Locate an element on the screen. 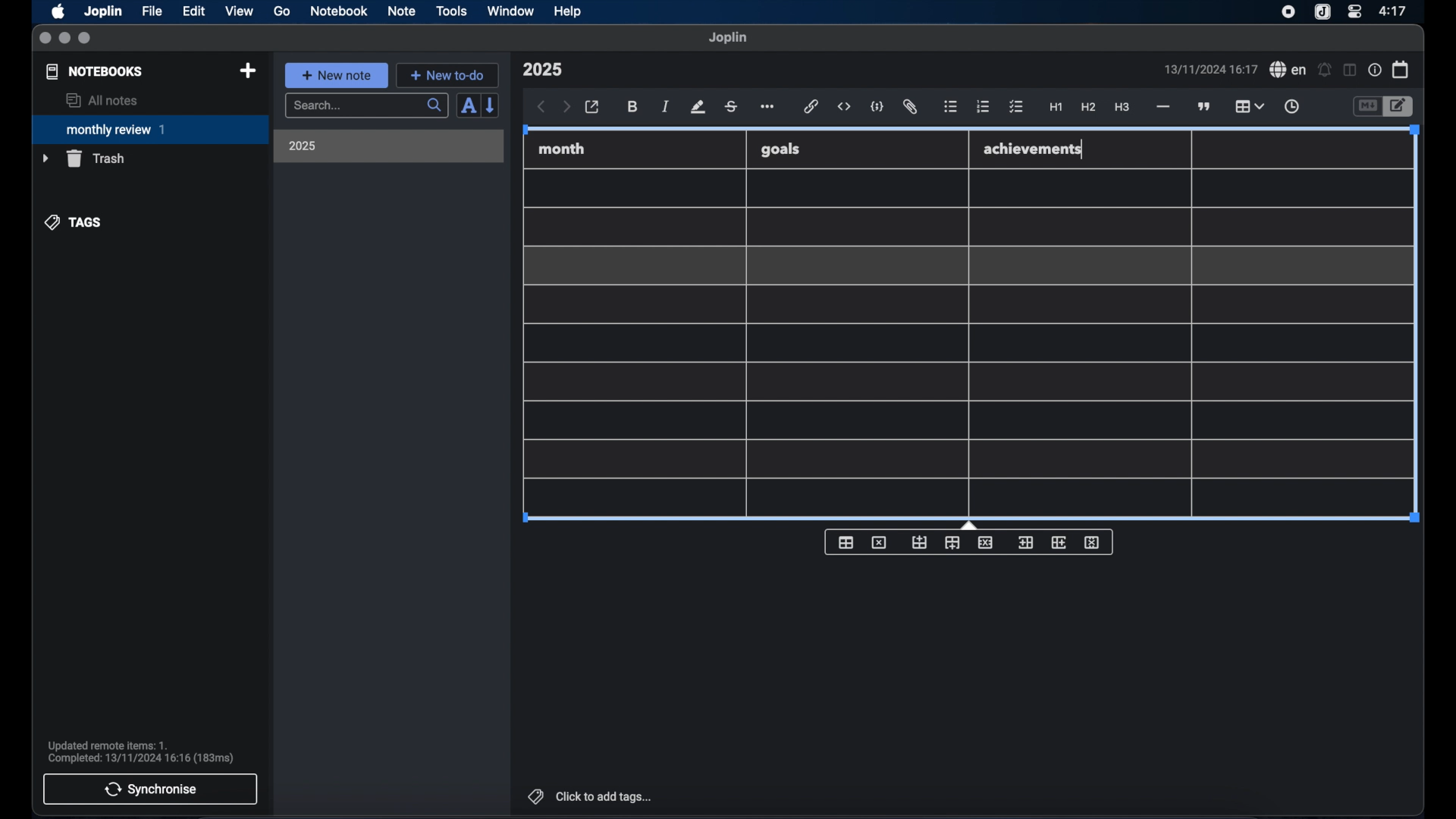  edit is located at coordinates (195, 11).